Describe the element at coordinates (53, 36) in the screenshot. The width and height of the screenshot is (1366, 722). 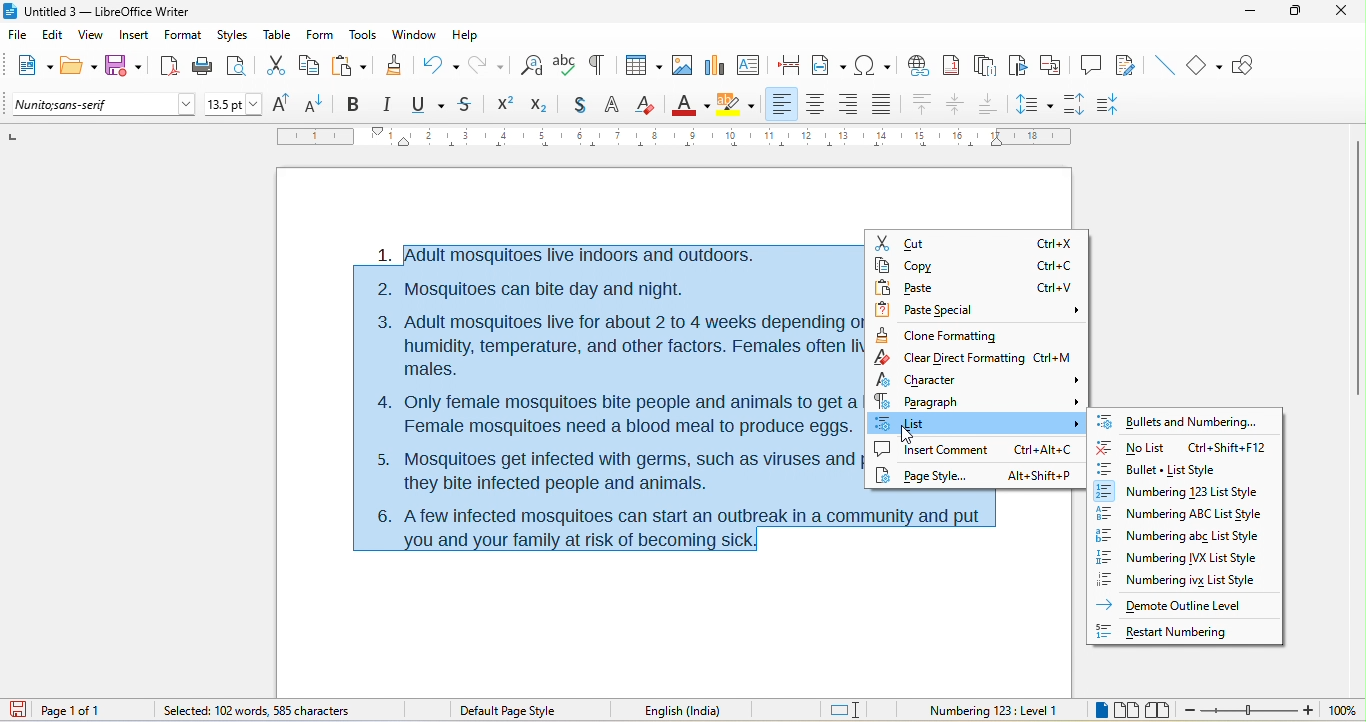
I see `edit` at that location.